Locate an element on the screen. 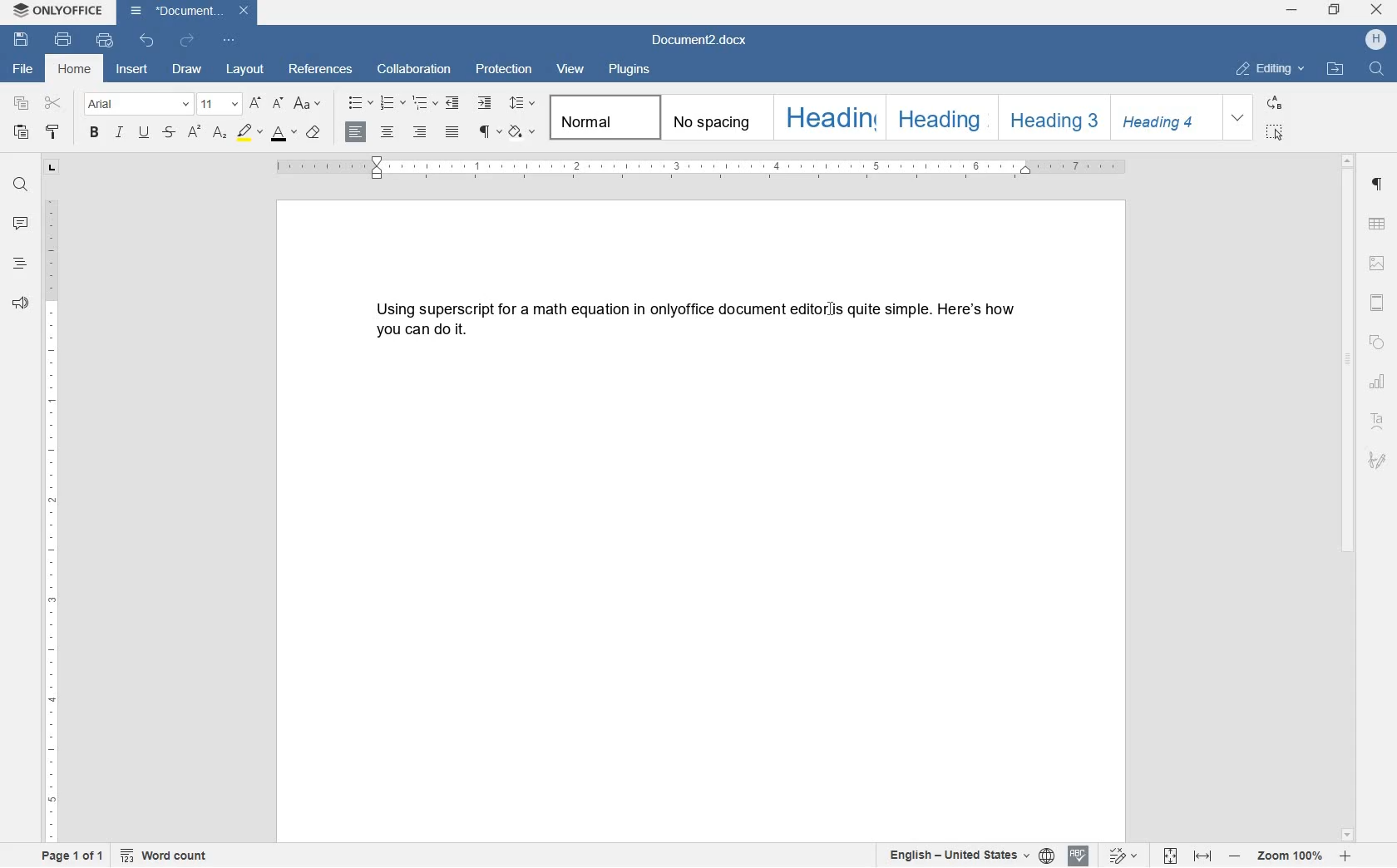 Image resolution: width=1397 pixels, height=868 pixels. zoom in or zoom out is located at coordinates (1291, 856).